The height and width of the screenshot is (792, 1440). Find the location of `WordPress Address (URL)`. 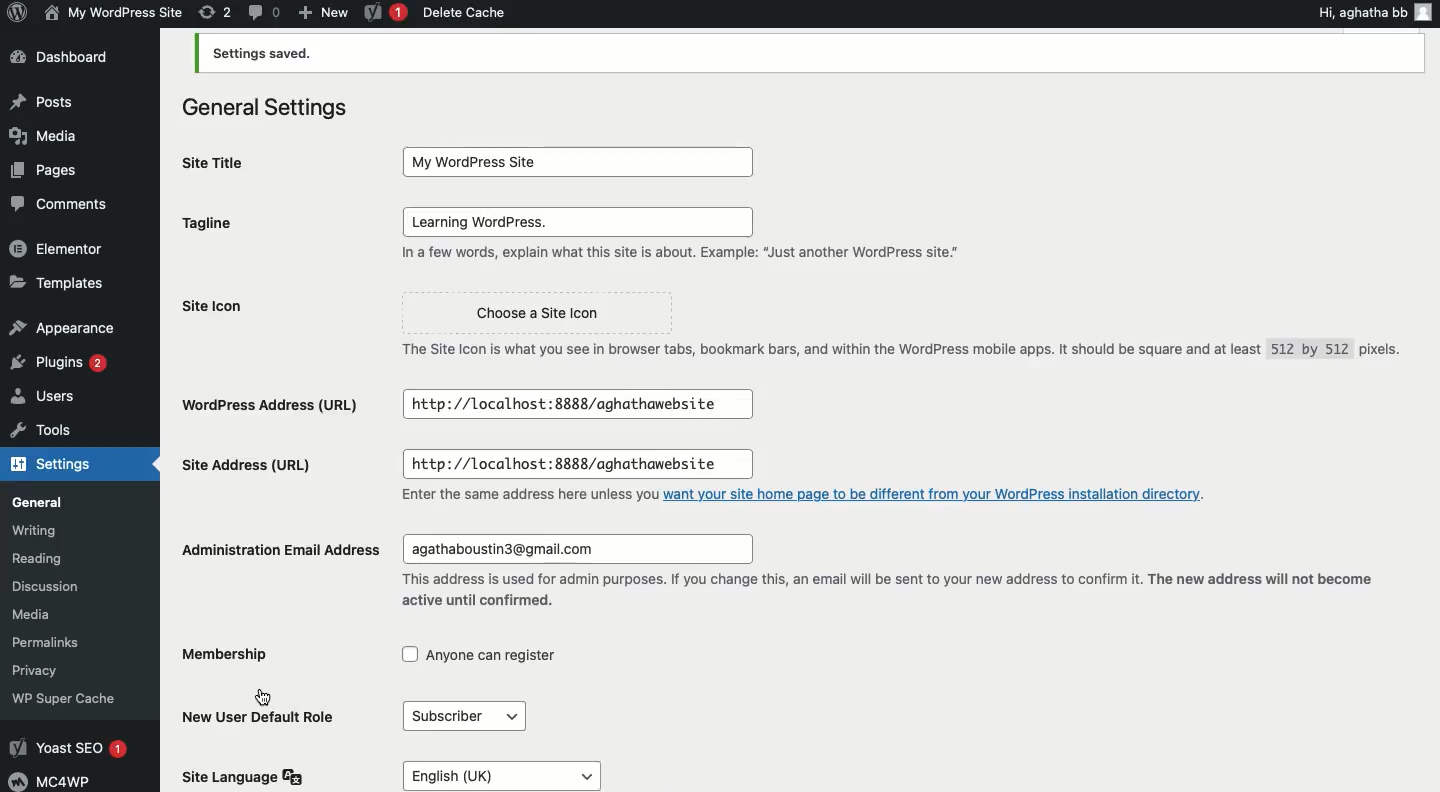

WordPress Address (URL) is located at coordinates (272, 403).